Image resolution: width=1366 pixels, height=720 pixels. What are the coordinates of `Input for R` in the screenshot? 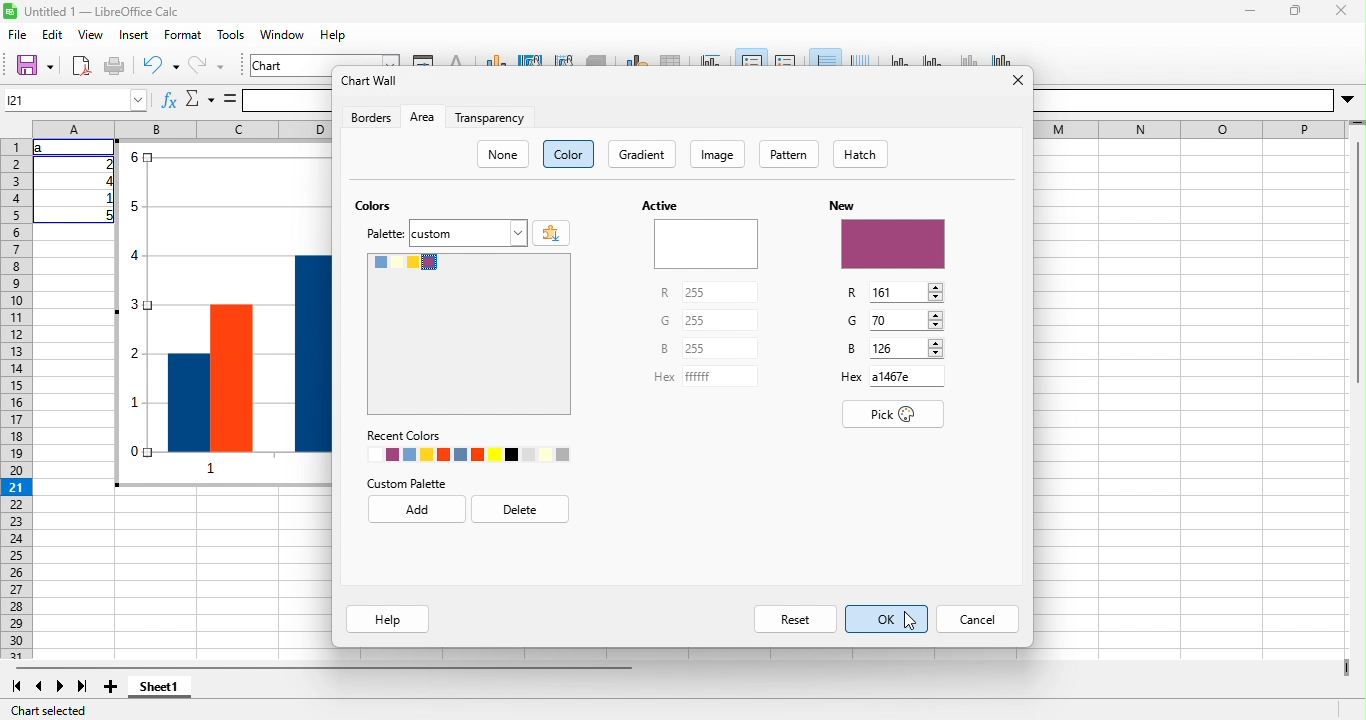 It's located at (720, 292).